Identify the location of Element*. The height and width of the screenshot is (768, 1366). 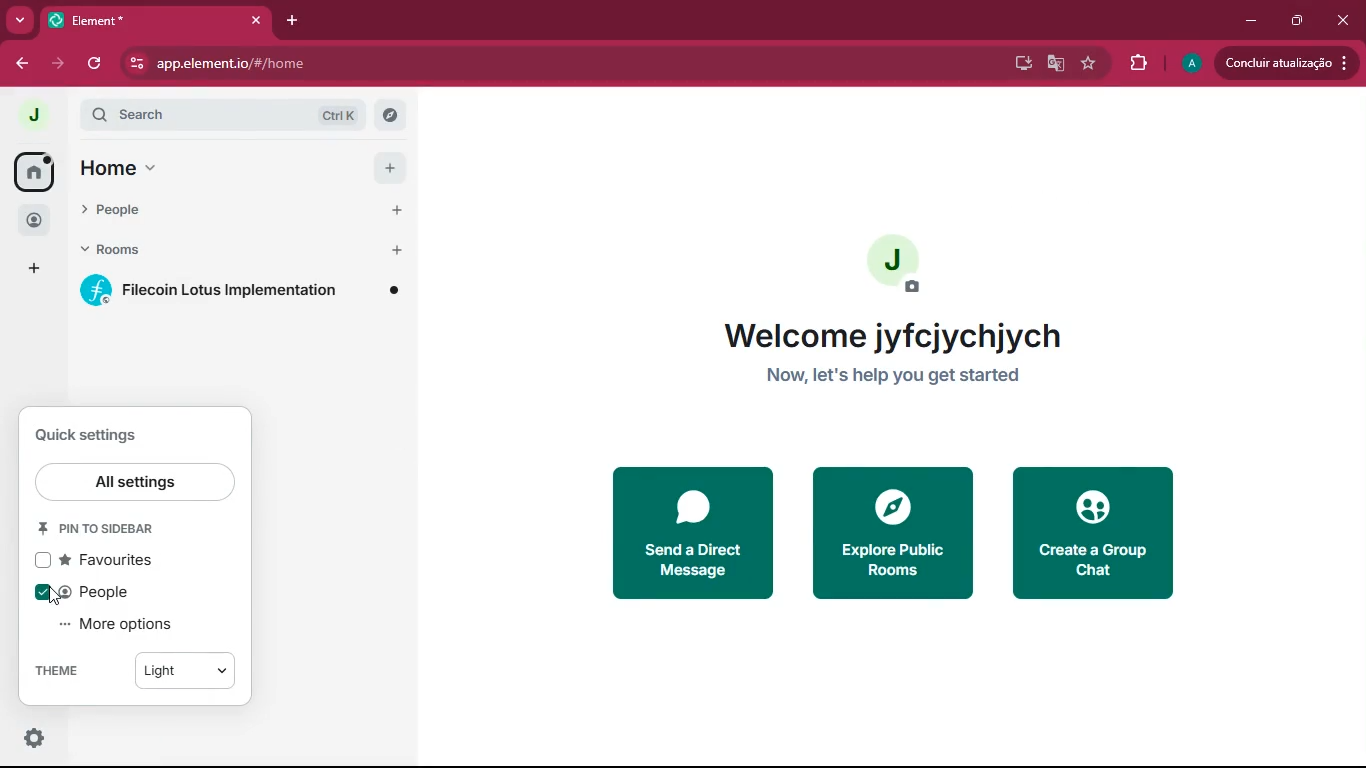
(152, 19).